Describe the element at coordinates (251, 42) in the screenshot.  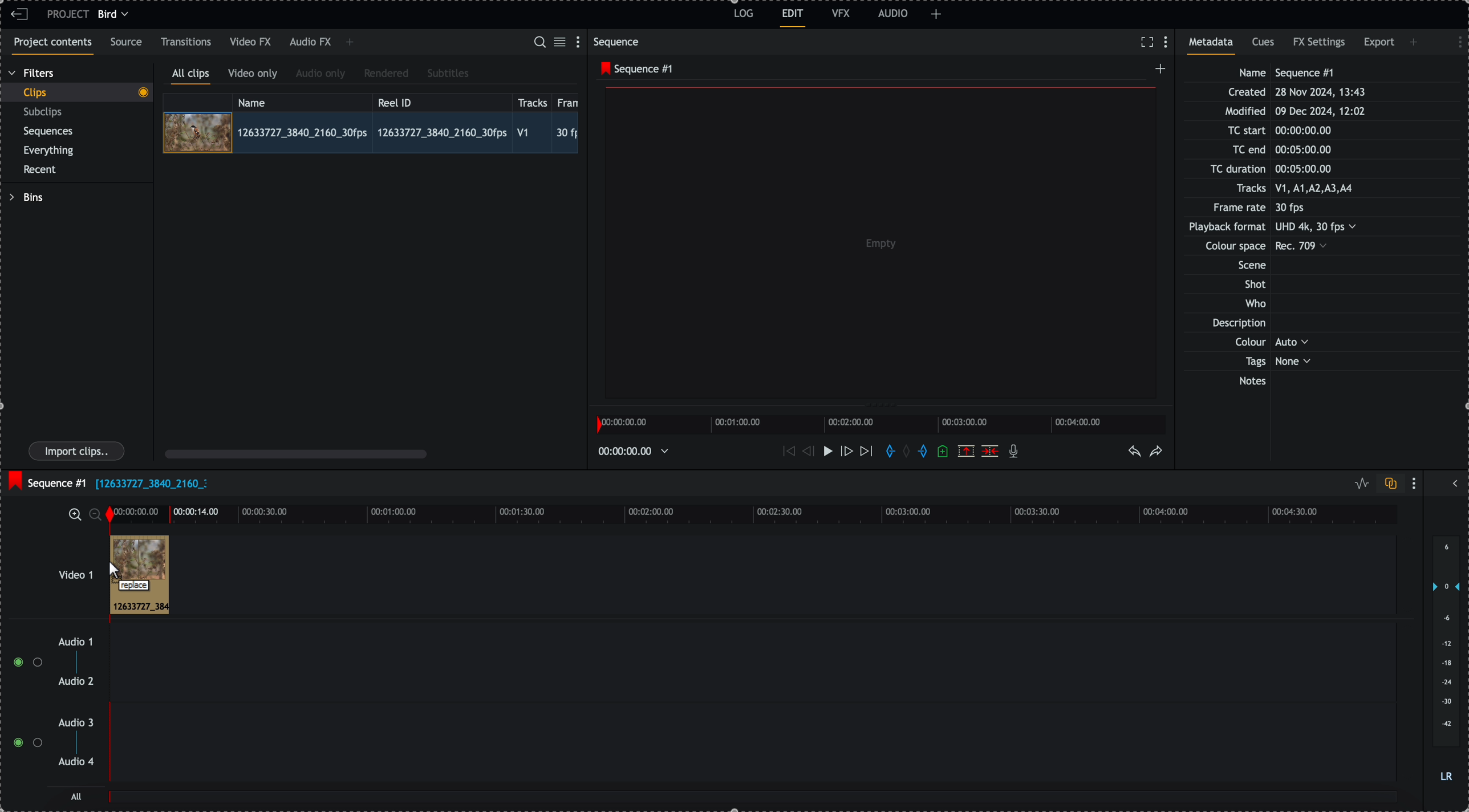
I see `video FX` at that location.